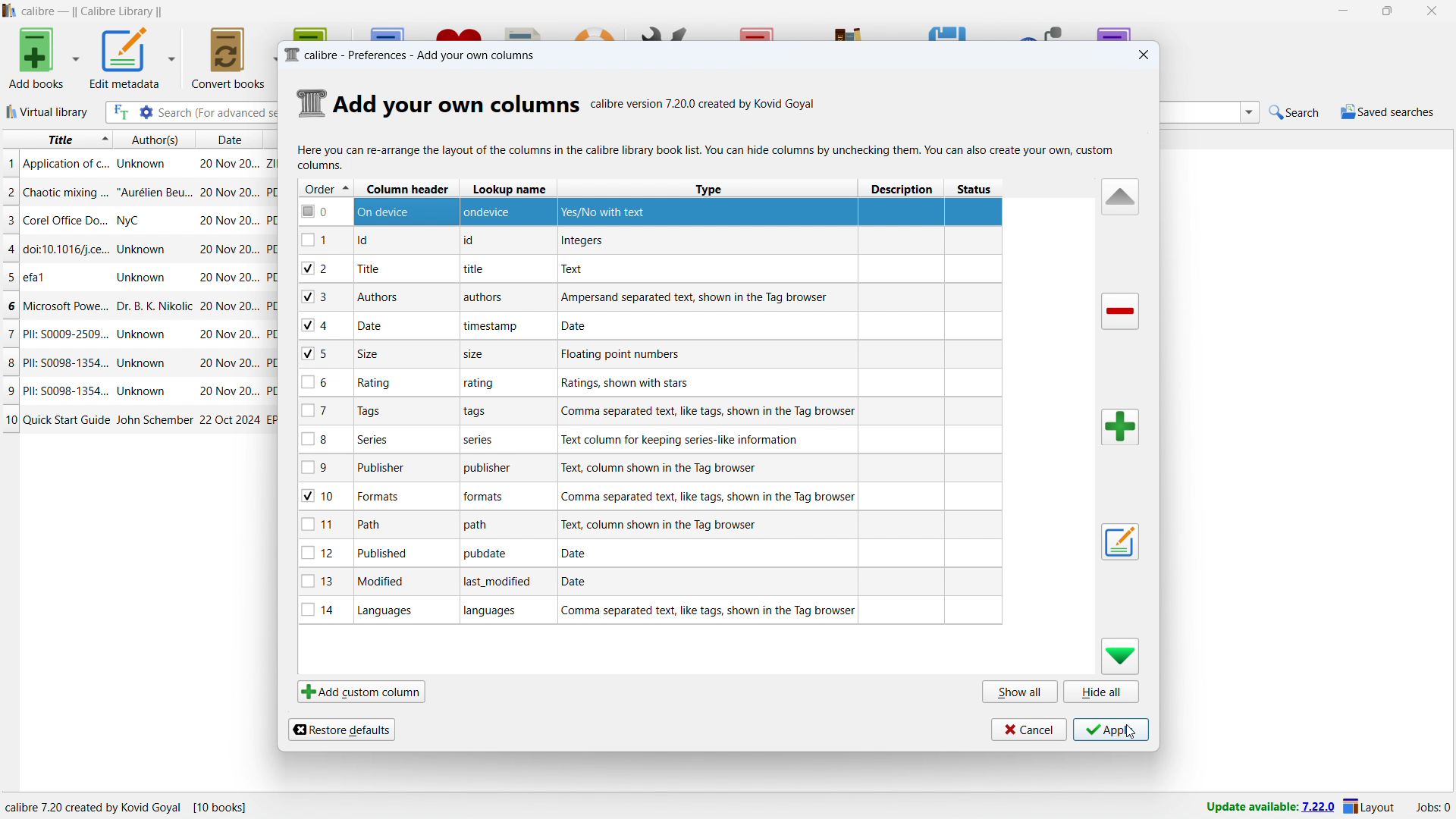  I want to click on 8, so click(322, 438).